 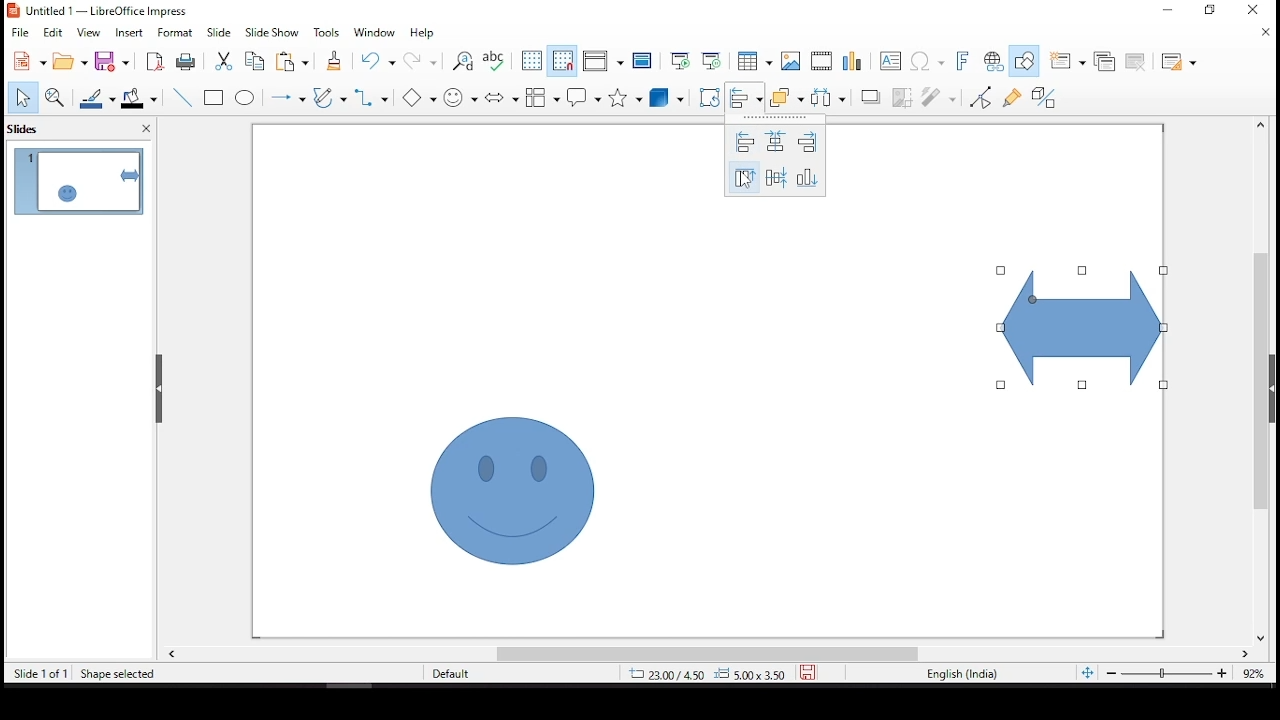 I want to click on slide 1 of 1, so click(x=41, y=675).